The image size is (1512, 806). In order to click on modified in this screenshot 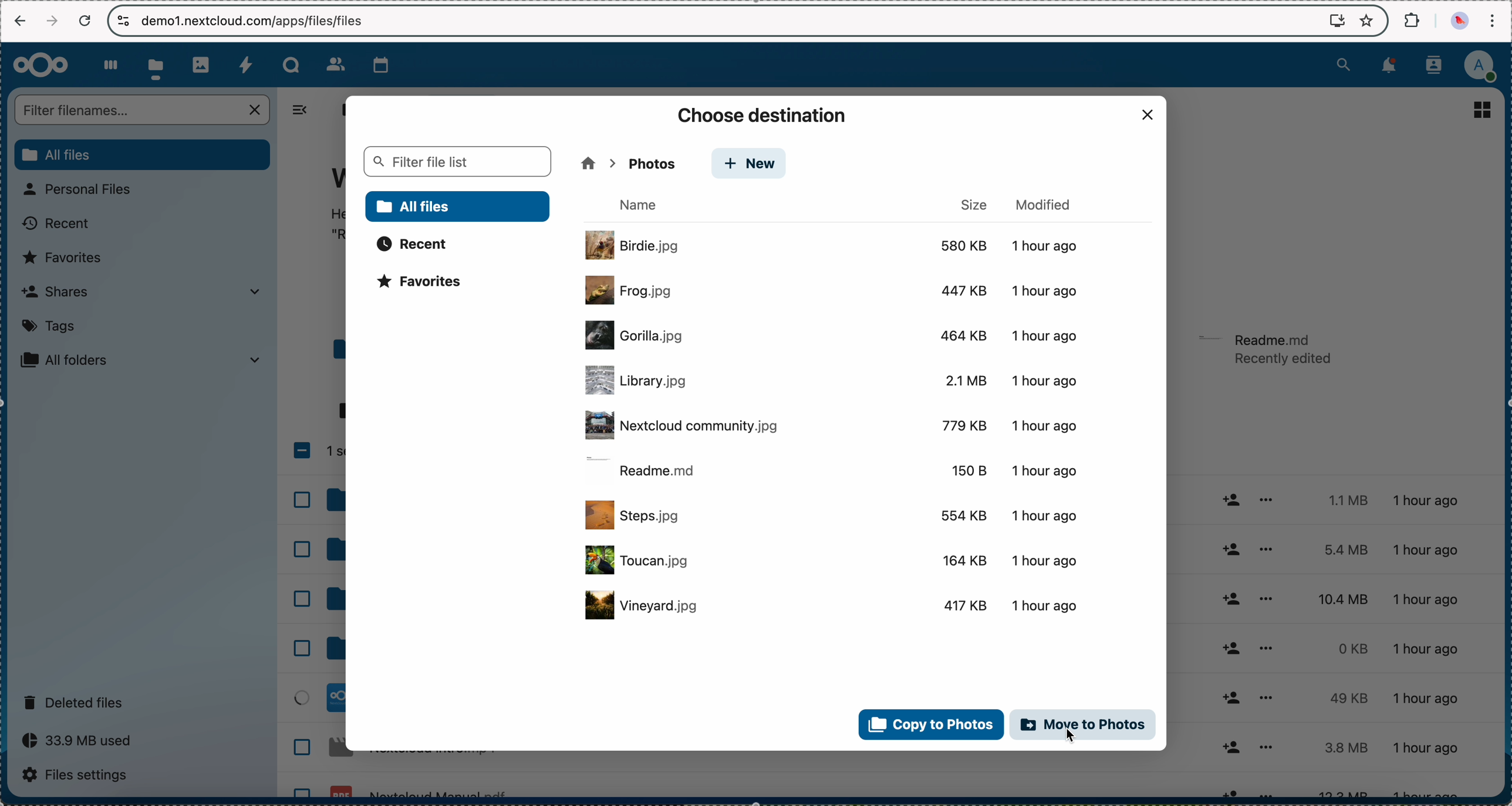, I will do `click(1047, 202)`.